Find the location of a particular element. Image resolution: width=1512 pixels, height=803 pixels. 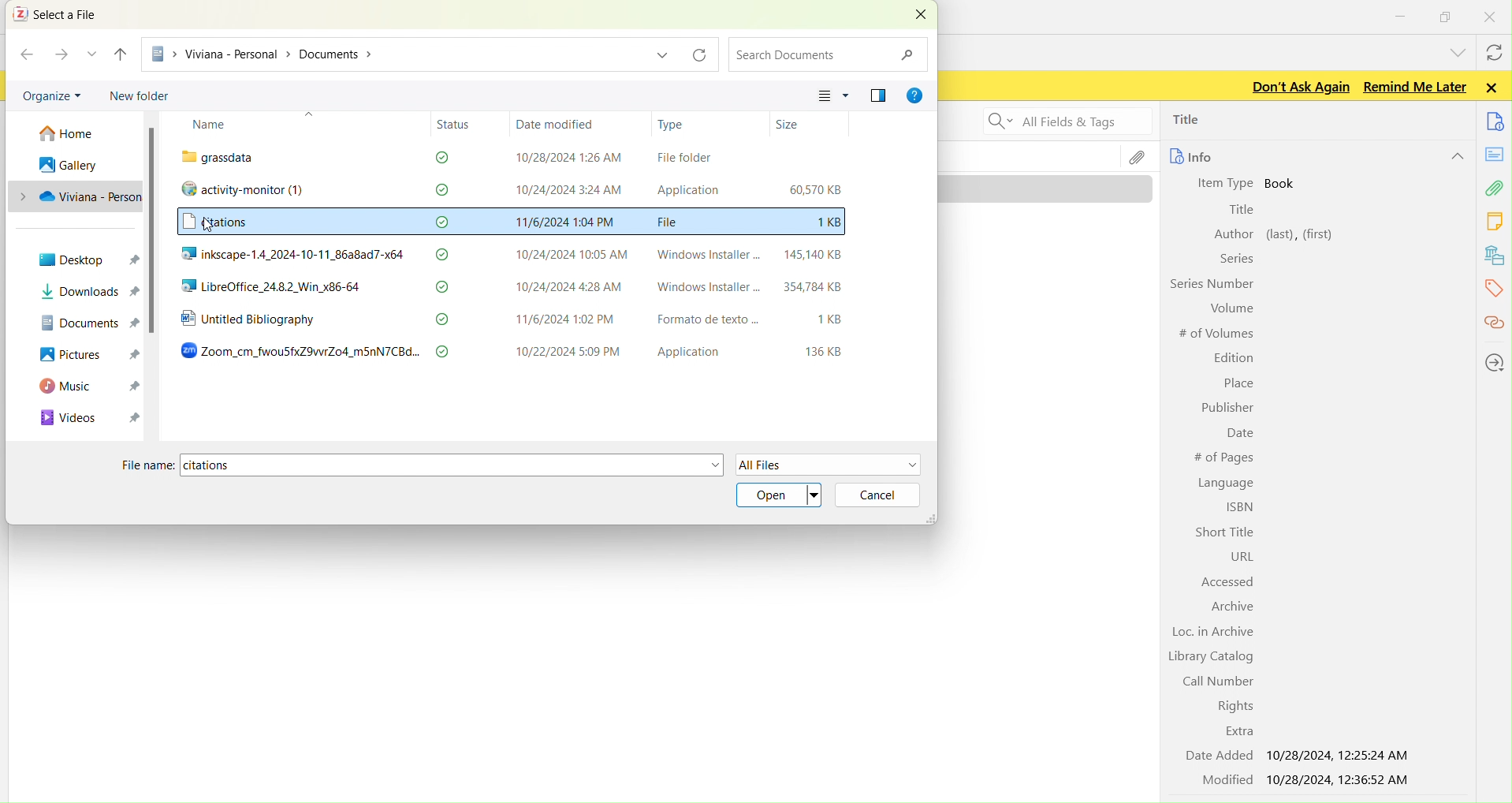

info is located at coordinates (1195, 155).